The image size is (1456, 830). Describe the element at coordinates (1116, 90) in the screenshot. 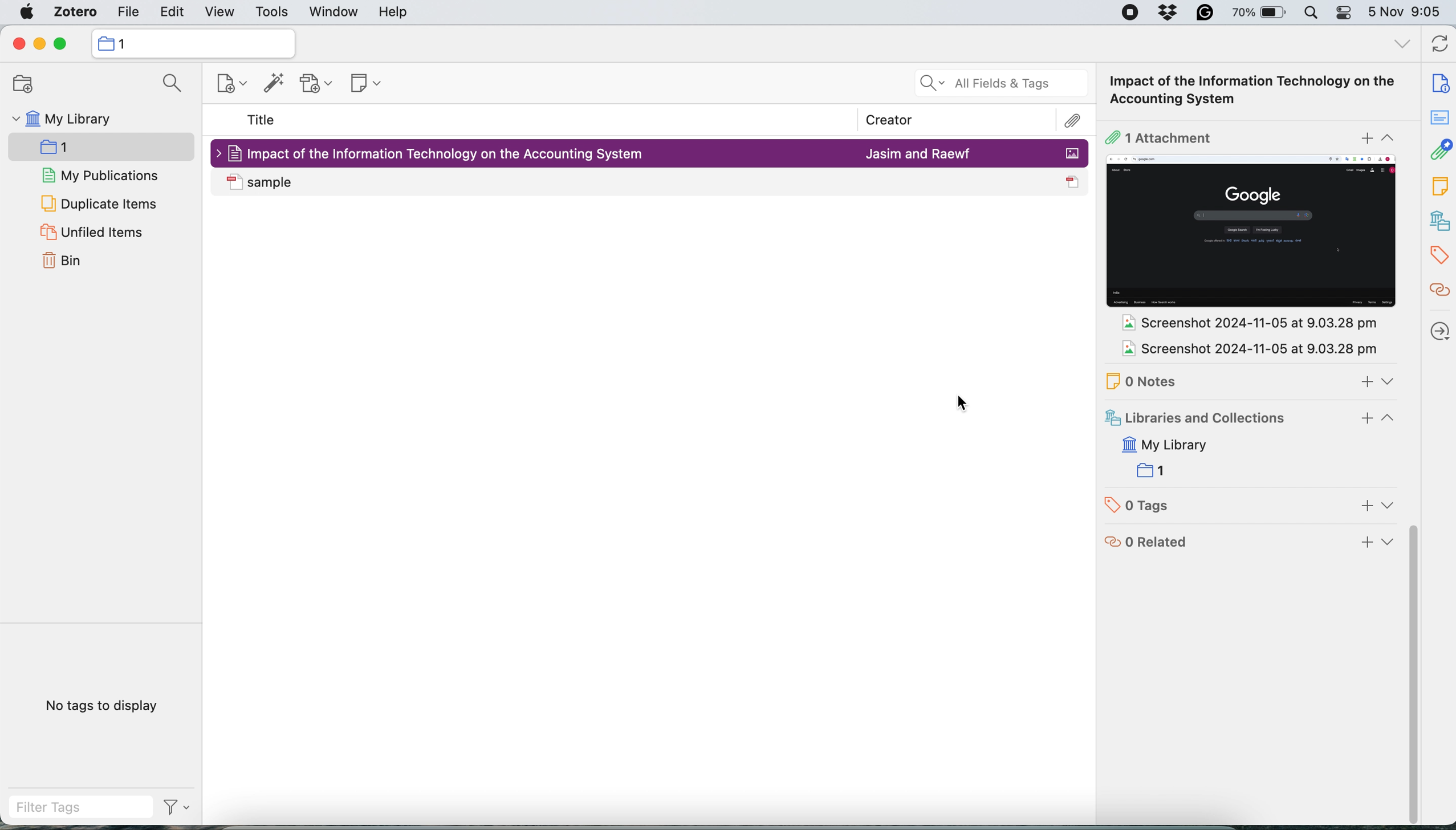

I see `impact of information technology on accounting system` at that location.